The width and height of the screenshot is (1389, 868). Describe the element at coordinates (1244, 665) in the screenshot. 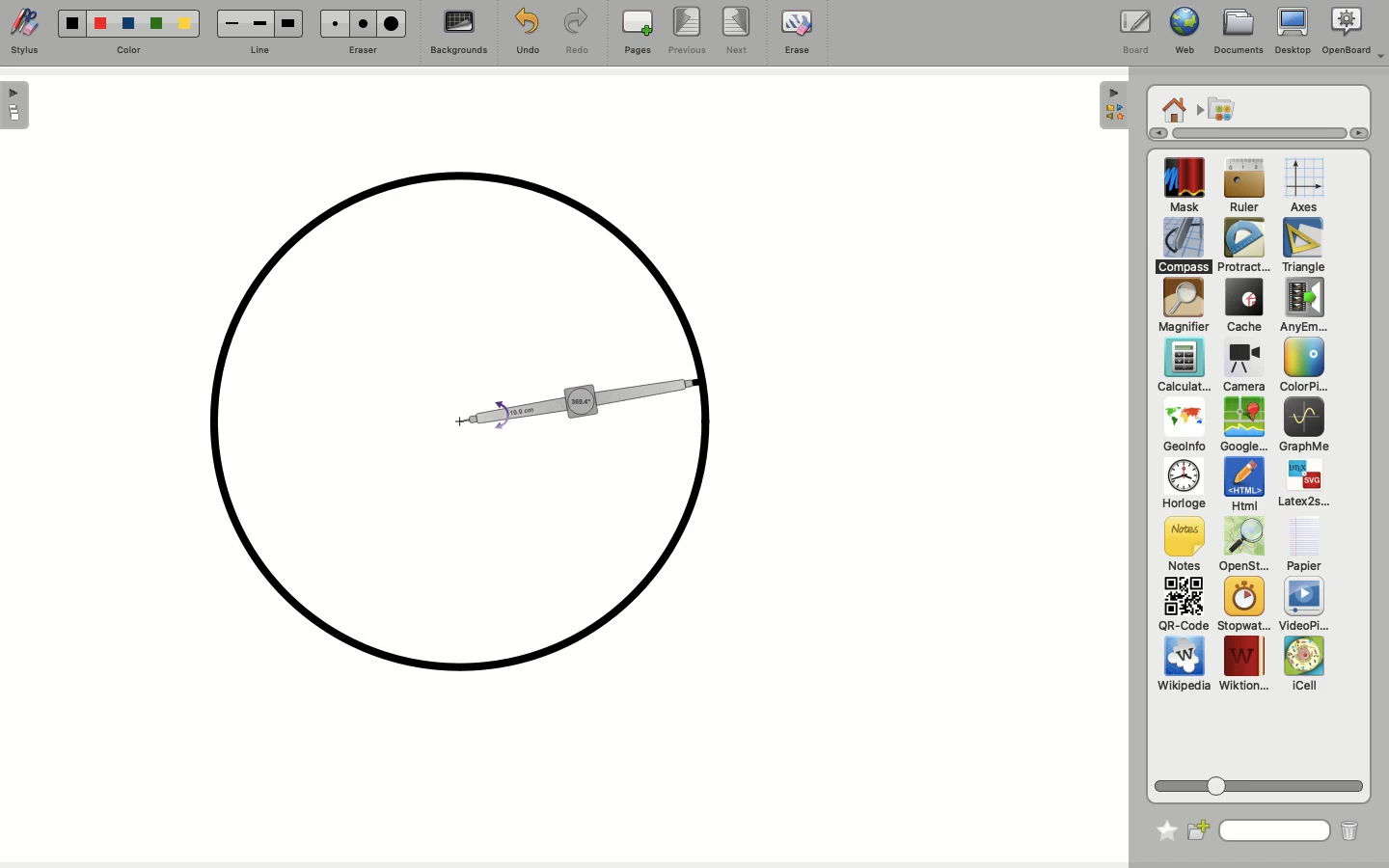

I see `Wiktion` at that location.